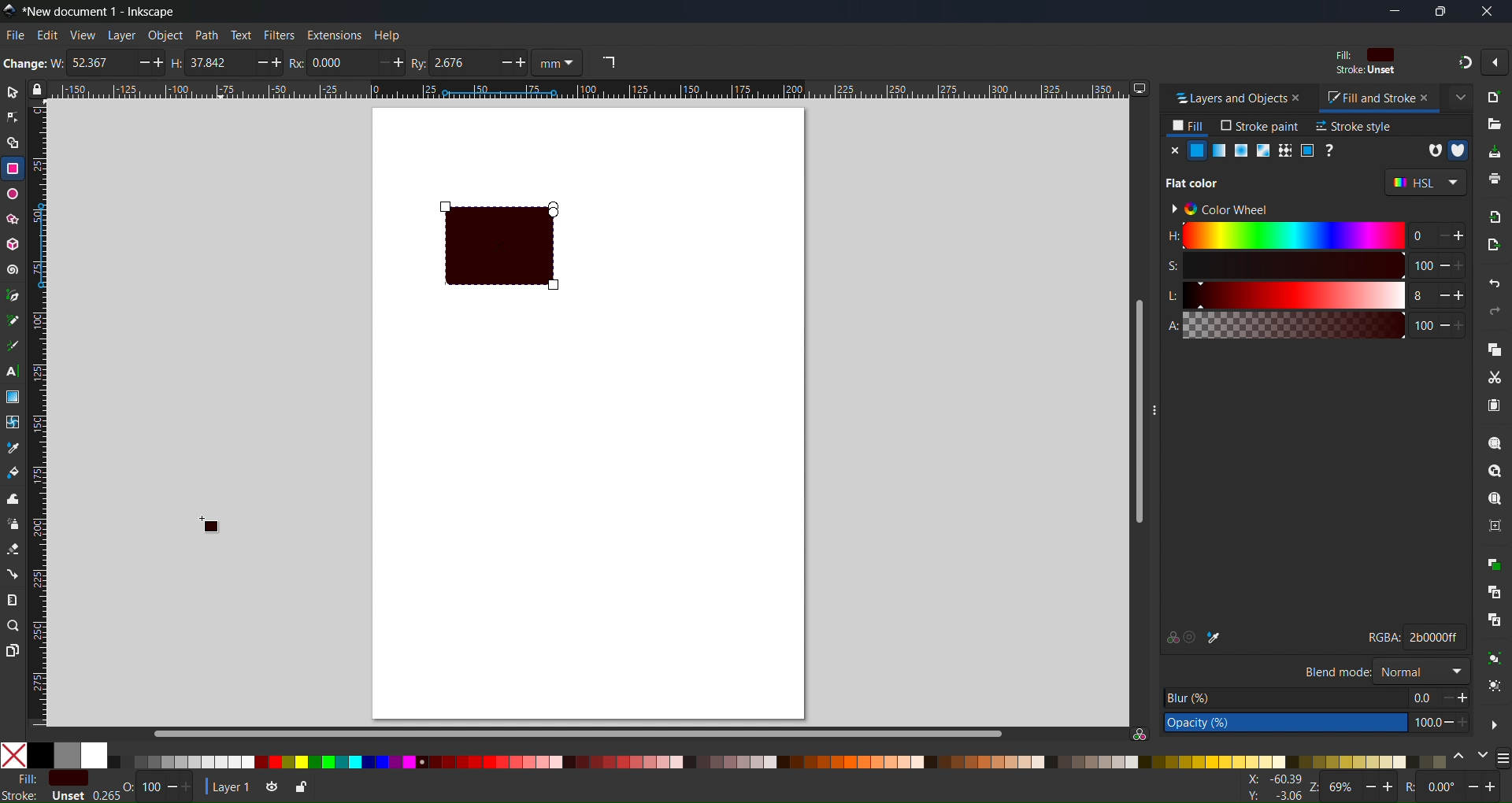  What do you see at coordinates (1260, 126) in the screenshot?
I see `Stroke paint` at bounding box center [1260, 126].